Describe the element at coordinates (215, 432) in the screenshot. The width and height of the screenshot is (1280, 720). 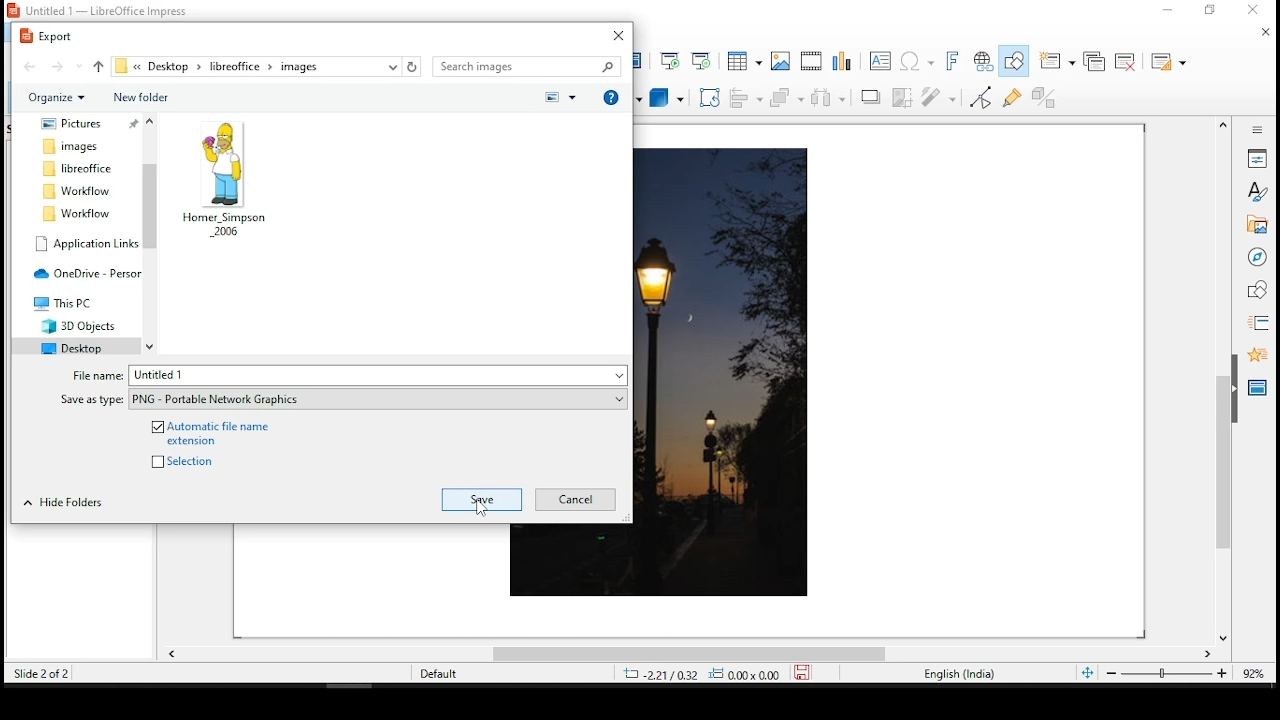
I see `automatic file name extension` at that location.